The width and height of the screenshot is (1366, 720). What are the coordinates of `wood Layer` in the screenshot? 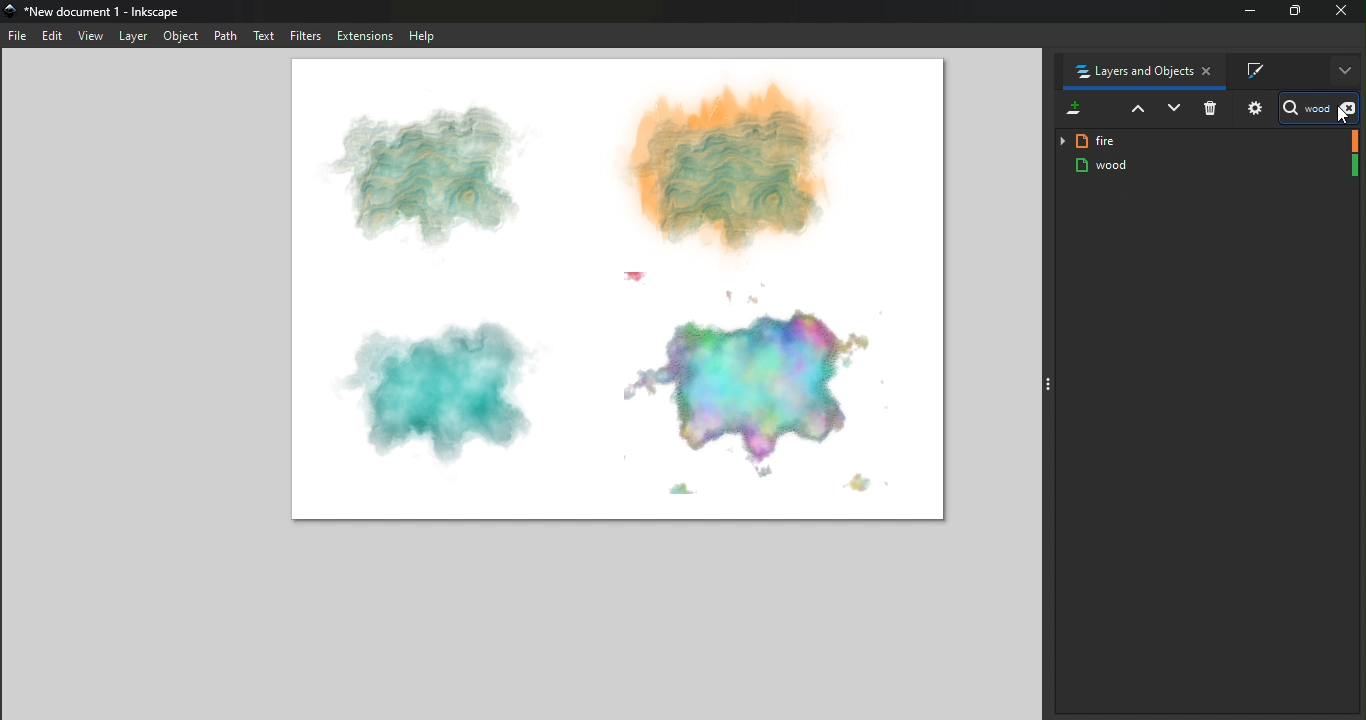 It's located at (1206, 169).